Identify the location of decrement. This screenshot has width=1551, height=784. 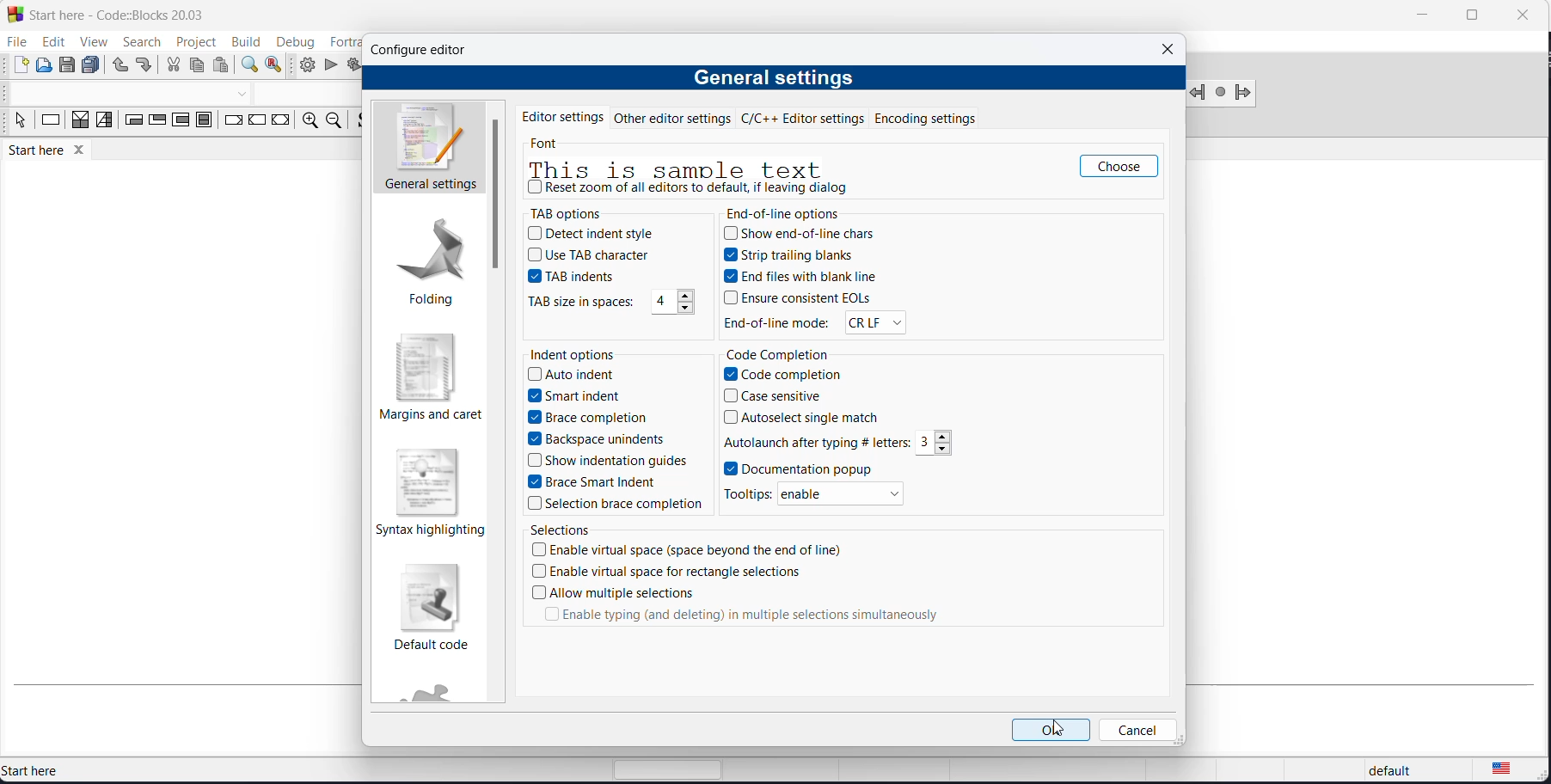
(945, 449).